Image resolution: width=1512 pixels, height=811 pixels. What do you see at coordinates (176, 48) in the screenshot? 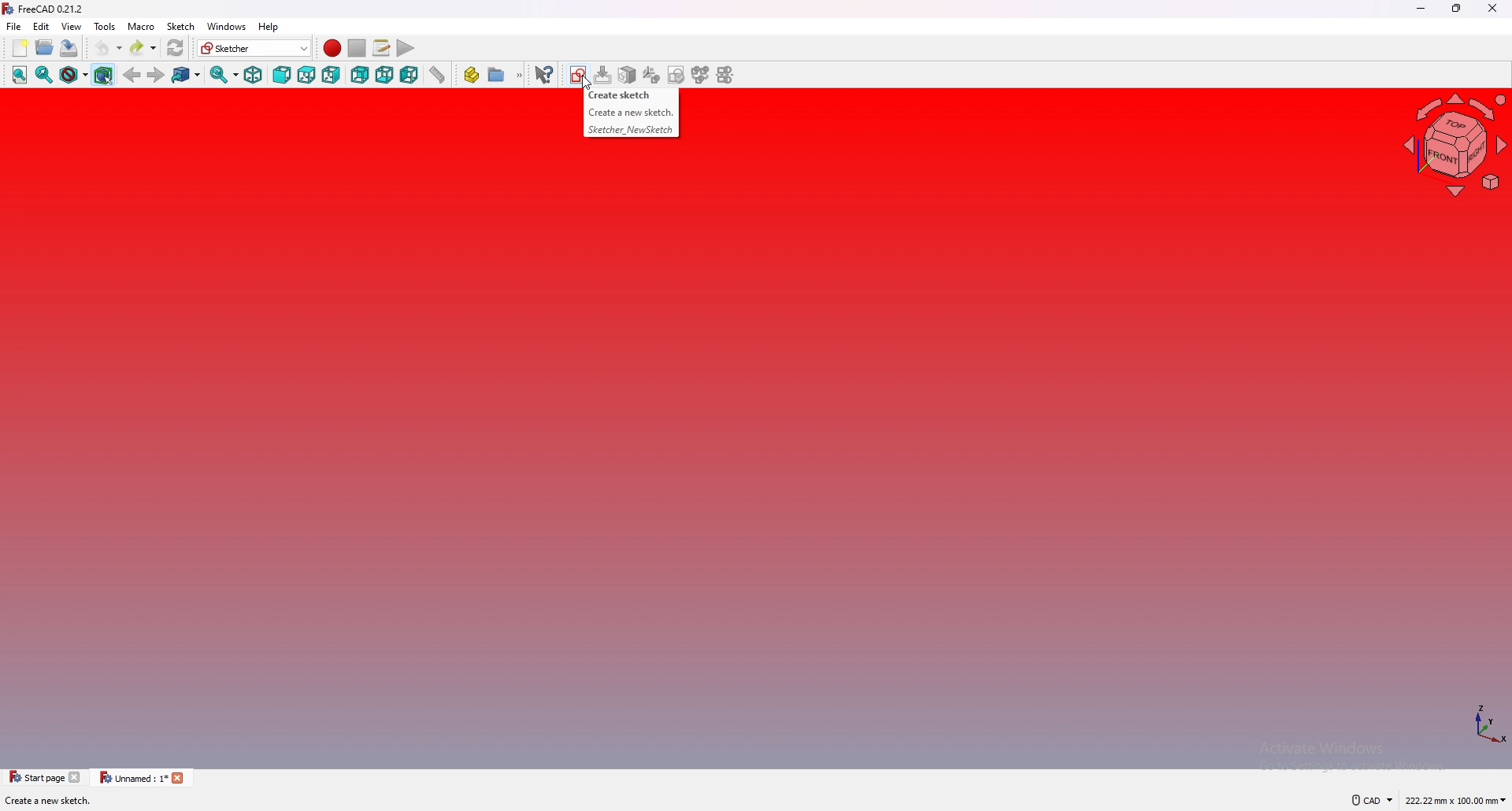
I see `refresh` at bounding box center [176, 48].